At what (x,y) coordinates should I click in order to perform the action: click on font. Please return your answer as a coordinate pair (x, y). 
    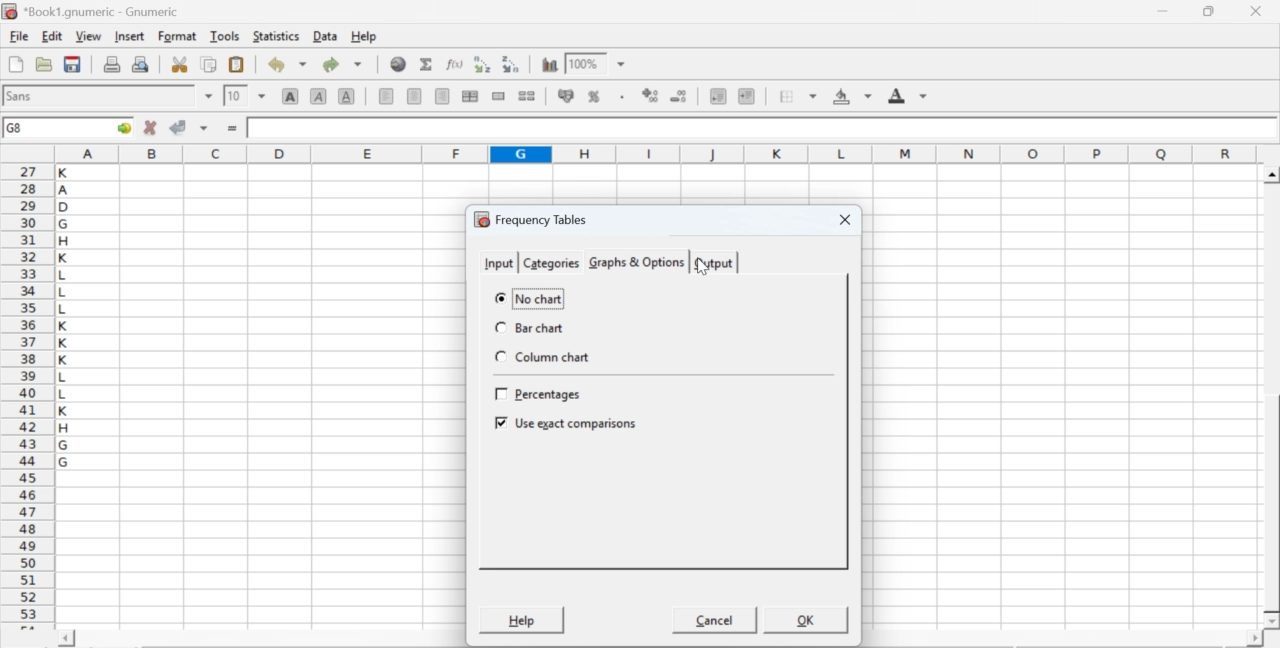
    Looking at the image, I should click on (22, 95).